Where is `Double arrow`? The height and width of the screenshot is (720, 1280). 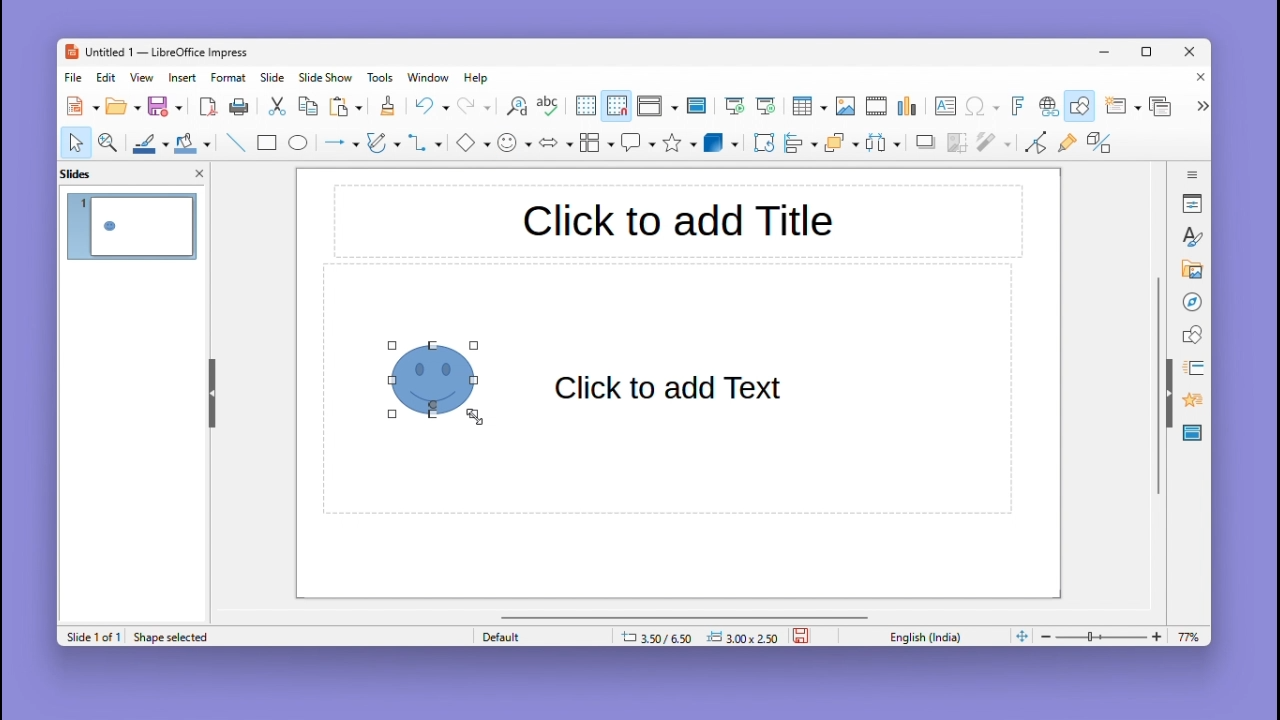
Double arrow is located at coordinates (556, 141).